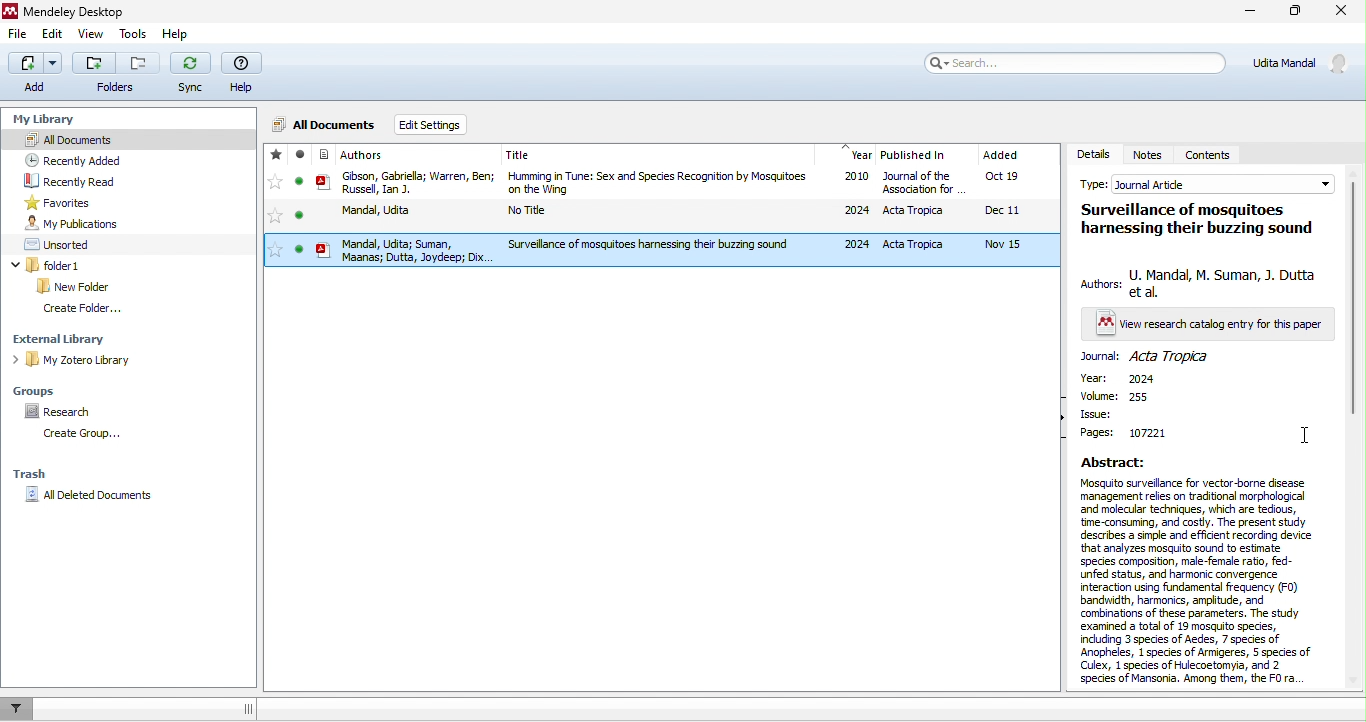 Image resolution: width=1366 pixels, height=722 pixels. Describe the element at coordinates (116, 73) in the screenshot. I see `folders` at that location.